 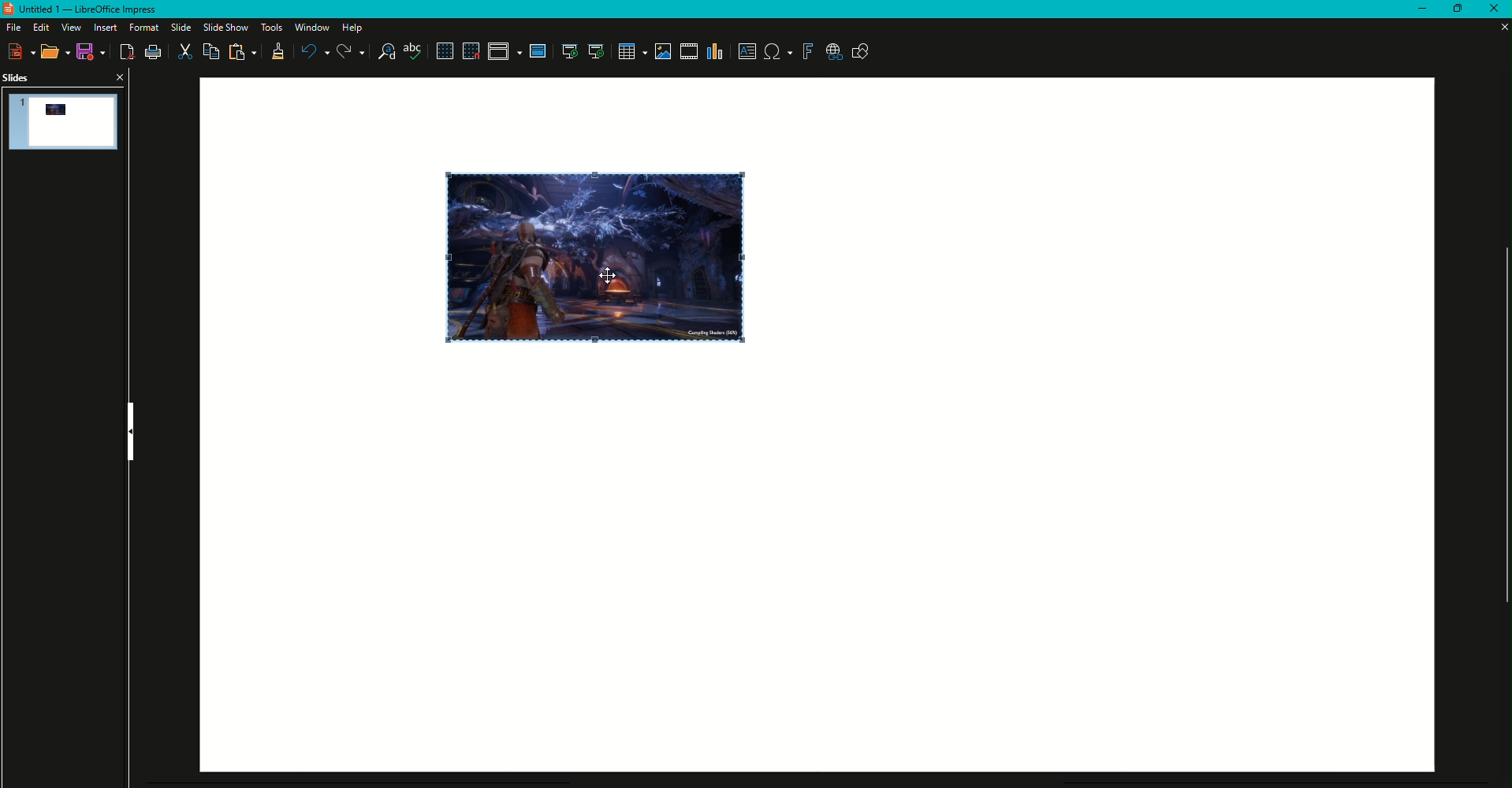 What do you see at coordinates (661, 51) in the screenshot?
I see `Insert Image` at bounding box center [661, 51].